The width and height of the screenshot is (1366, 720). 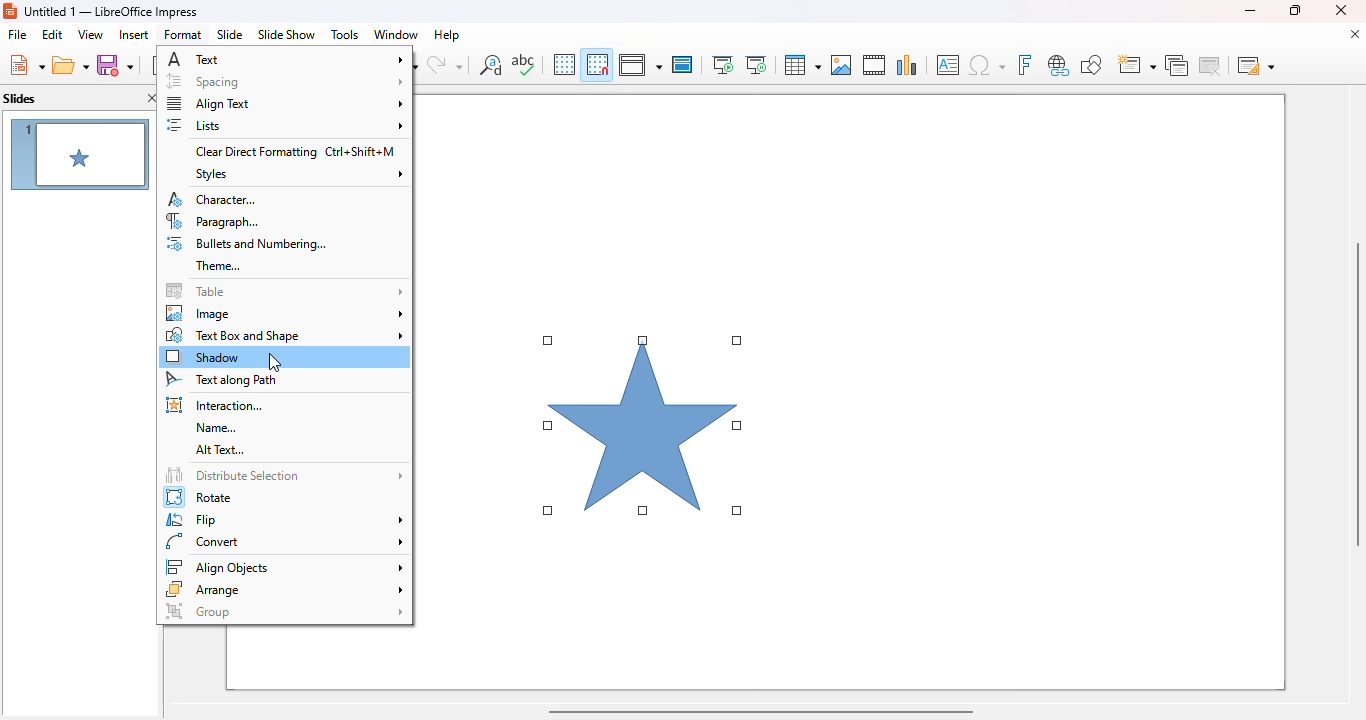 What do you see at coordinates (447, 34) in the screenshot?
I see `help` at bounding box center [447, 34].